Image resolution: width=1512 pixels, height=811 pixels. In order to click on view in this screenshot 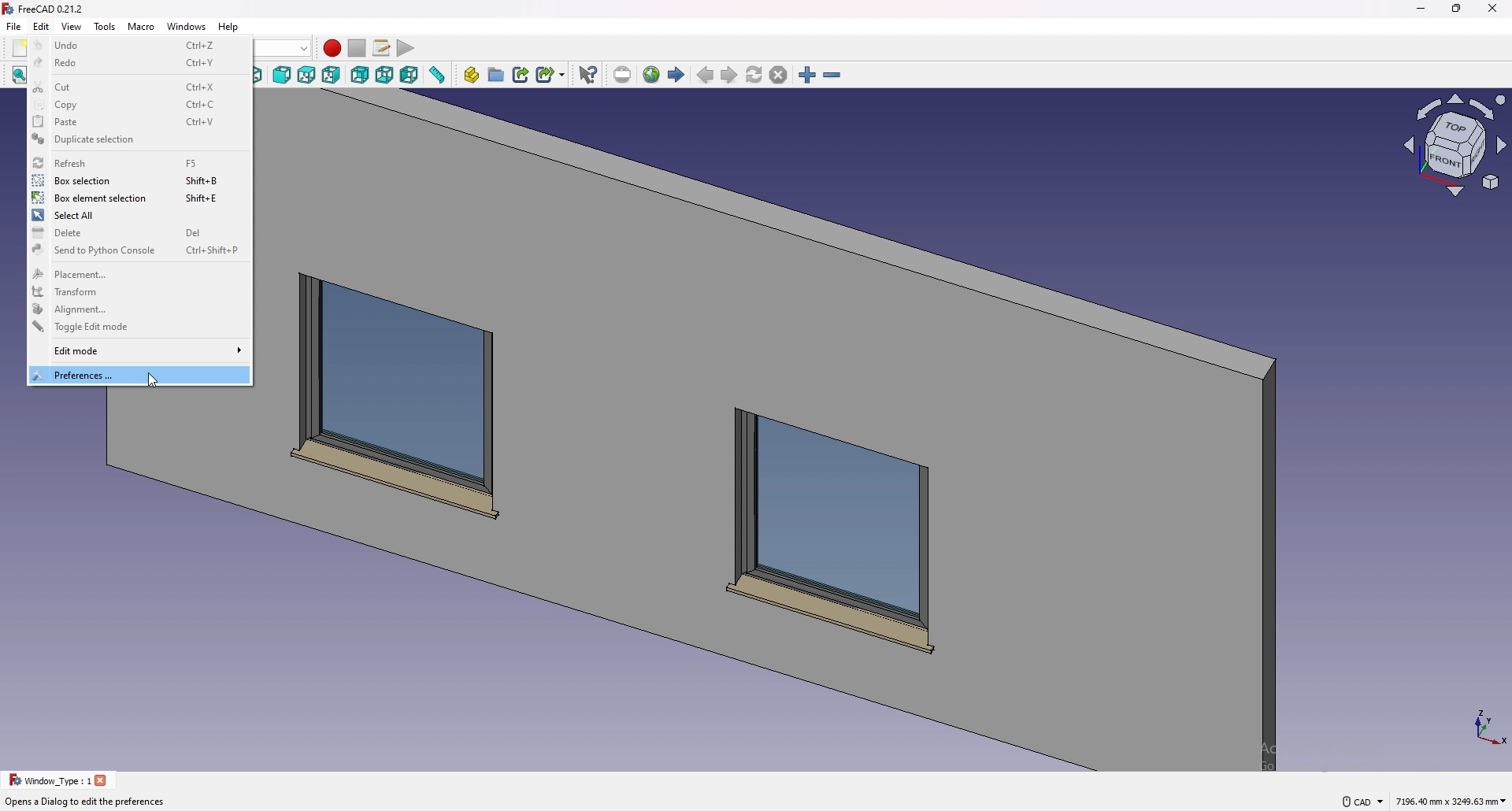, I will do `click(1456, 148)`.